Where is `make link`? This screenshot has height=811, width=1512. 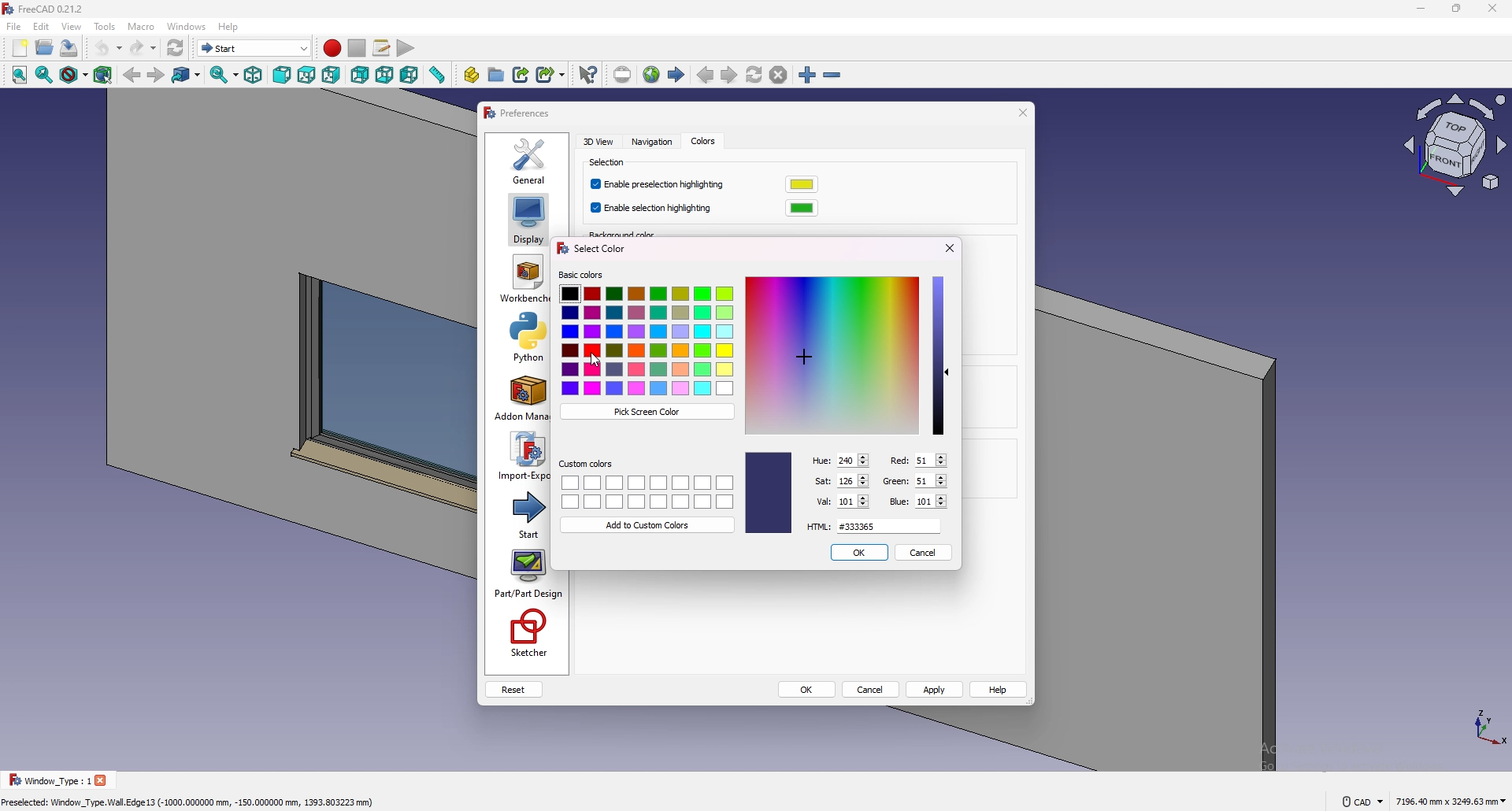 make link is located at coordinates (522, 73).